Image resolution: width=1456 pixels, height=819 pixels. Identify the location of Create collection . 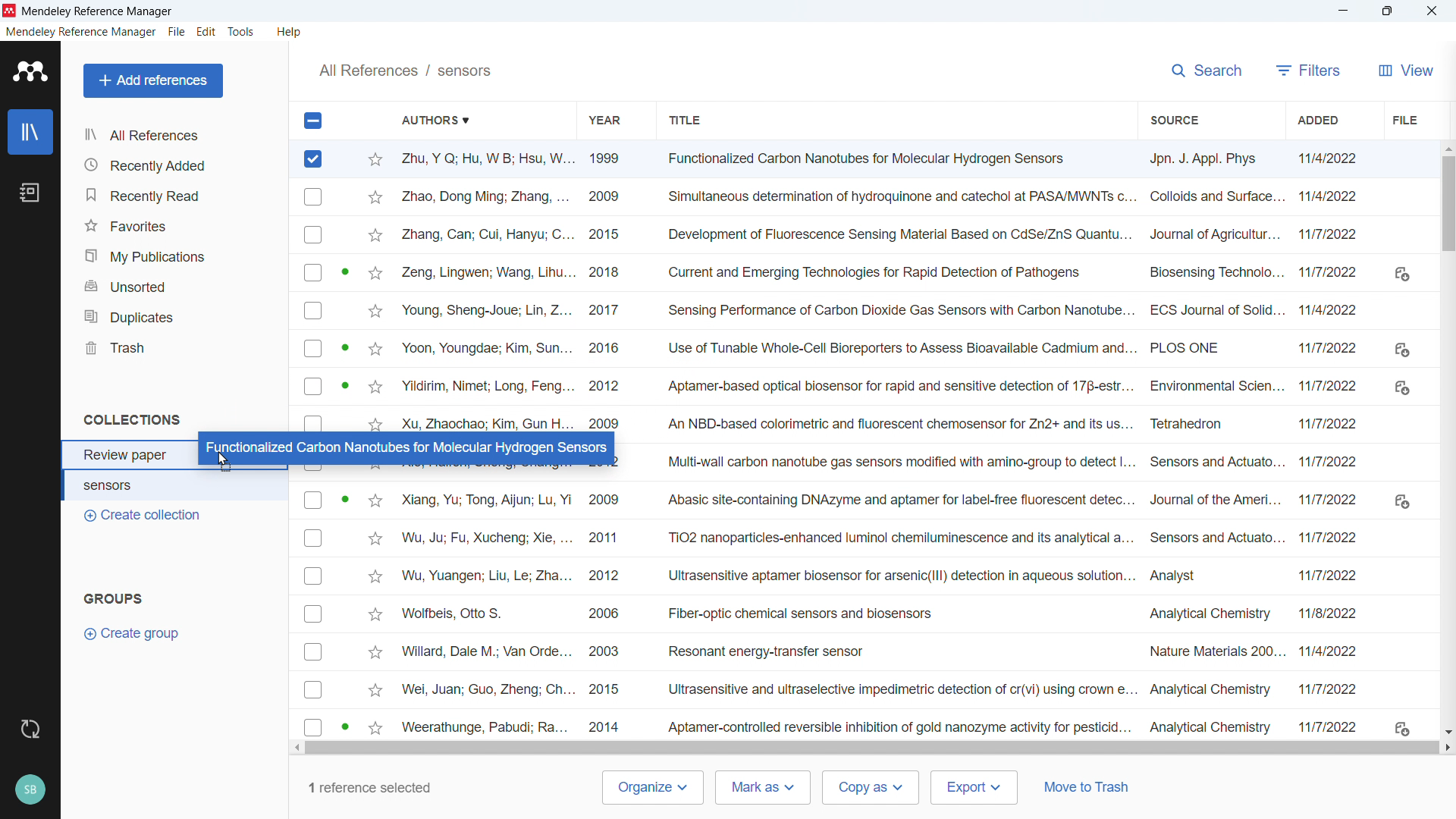
(143, 516).